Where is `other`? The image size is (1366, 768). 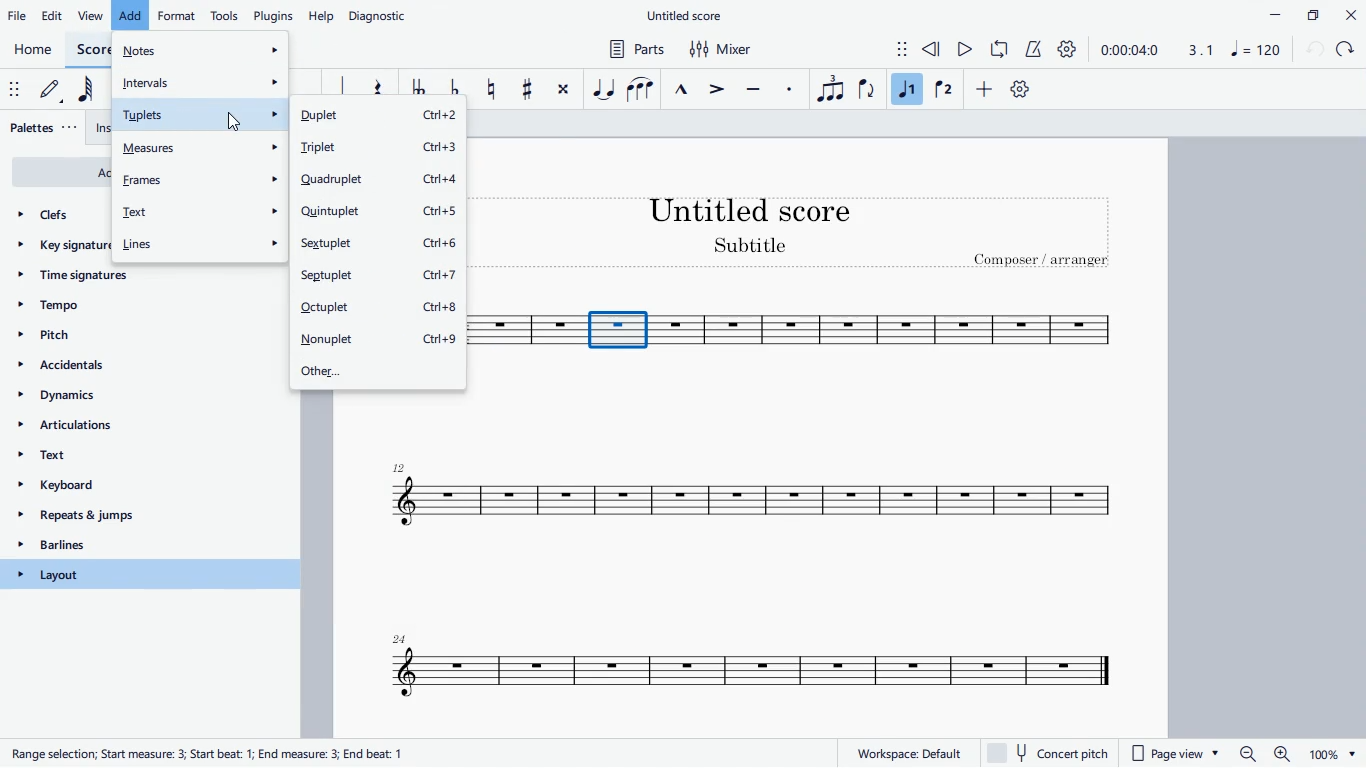
other is located at coordinates (378, 370).